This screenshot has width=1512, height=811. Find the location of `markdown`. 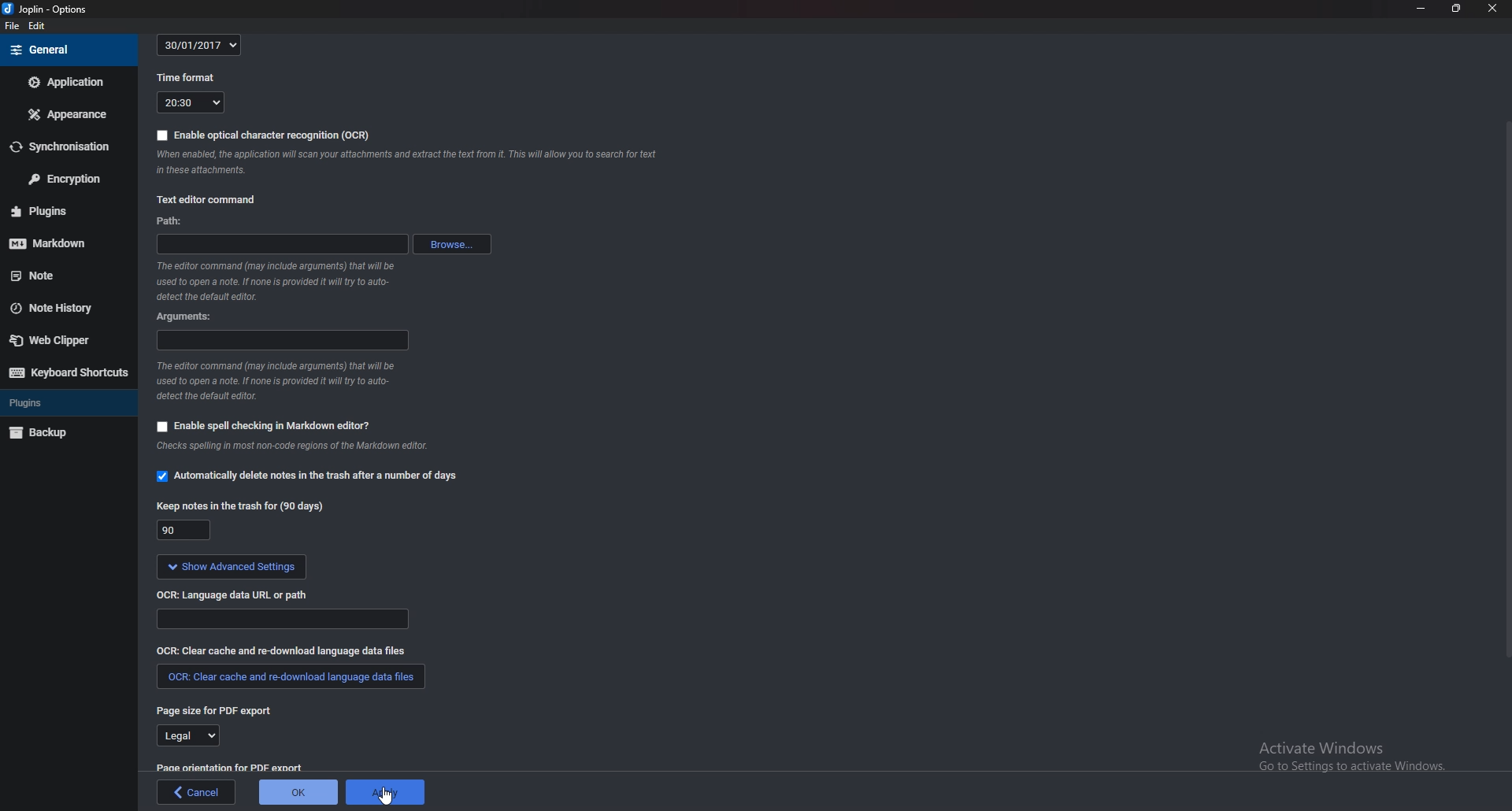

markdown is located at coordinates (65, 244).